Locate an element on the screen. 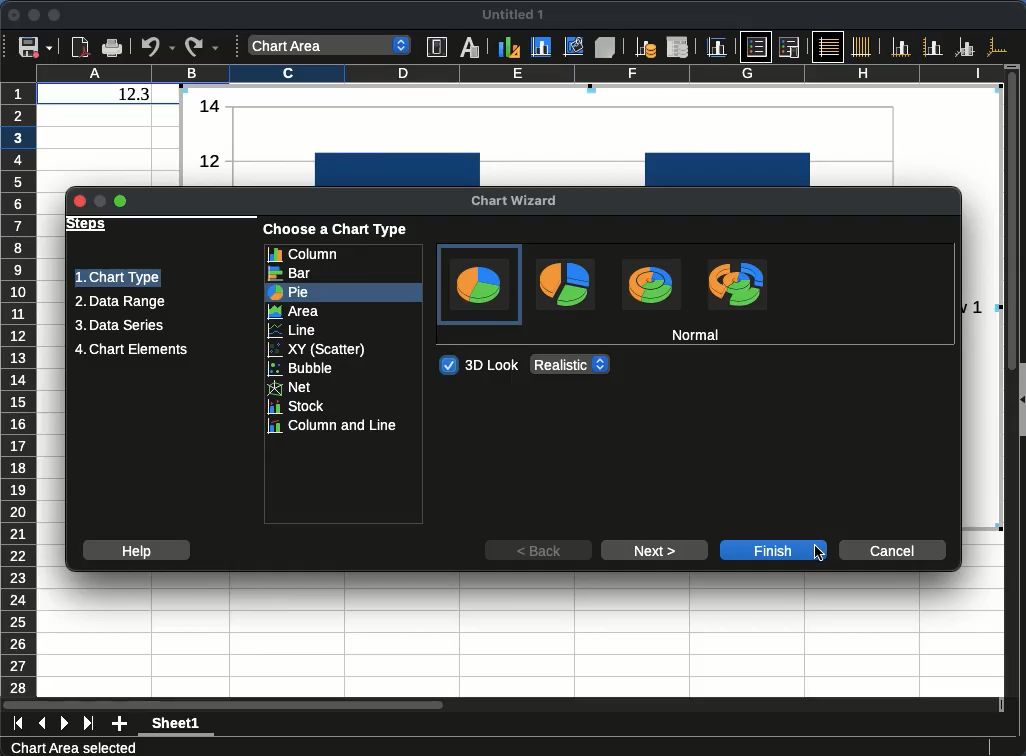 Image resolution: width=1026 pixels, height=756 pixels. Maximize is located at coordinates (121, 201).